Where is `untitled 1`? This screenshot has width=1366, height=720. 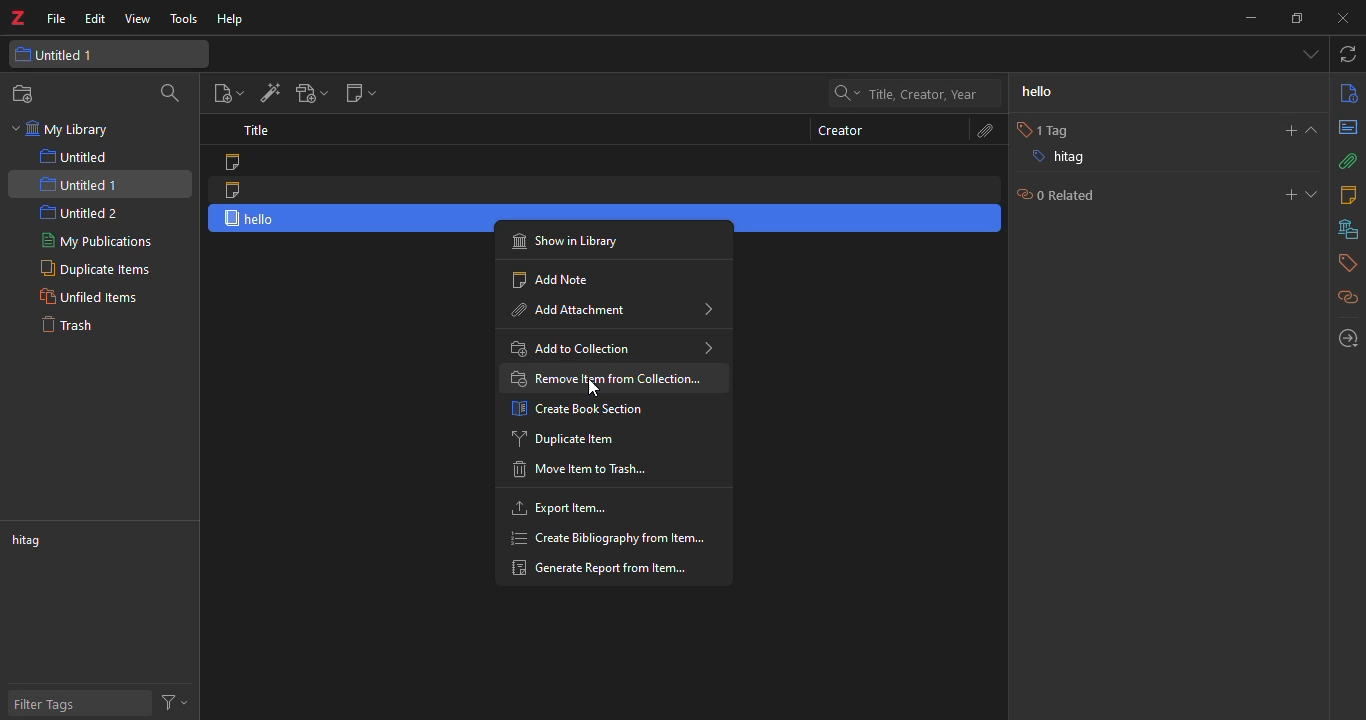 untitled 1 is located at coordinates (78, 187).